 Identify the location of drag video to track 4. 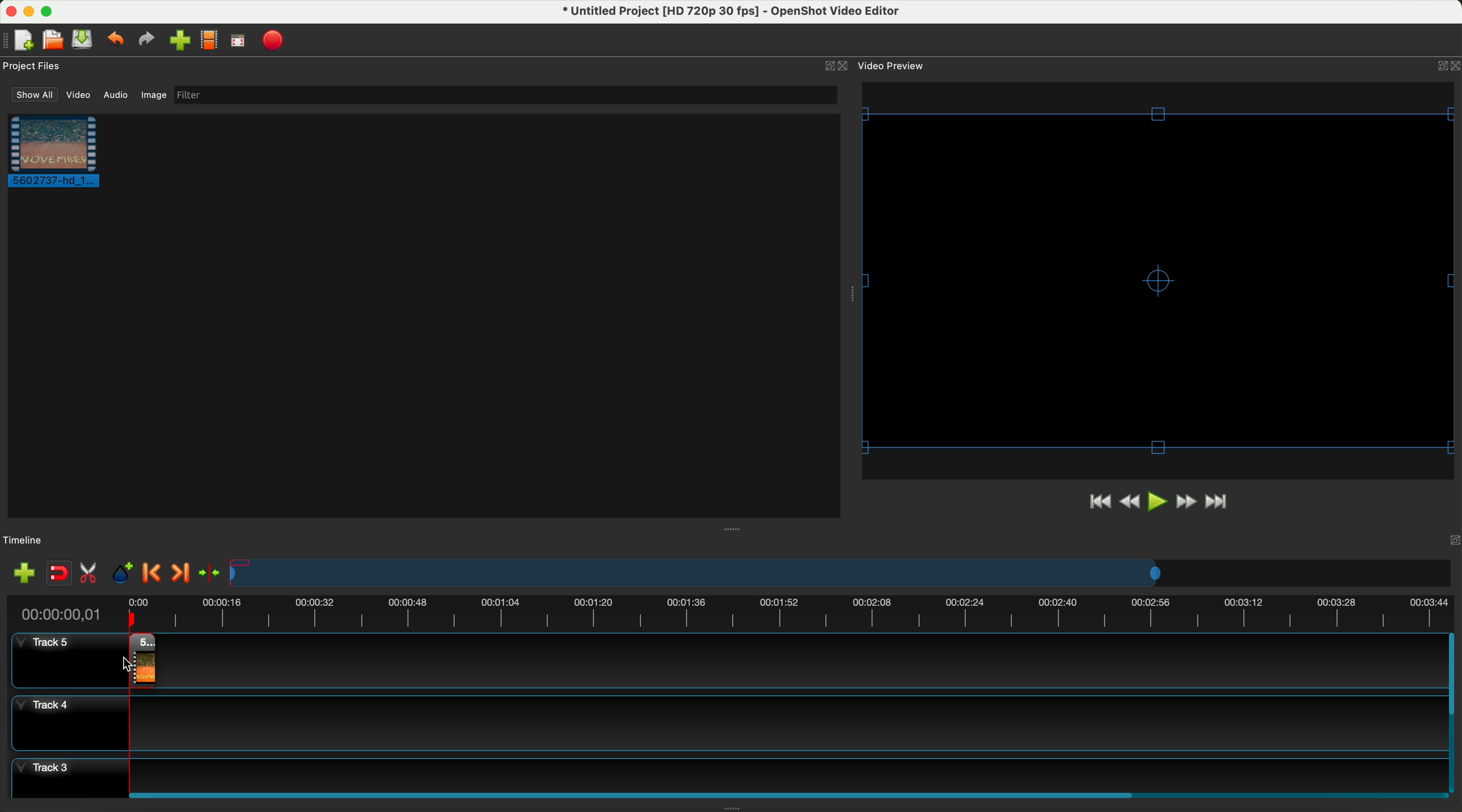
(140, 660).